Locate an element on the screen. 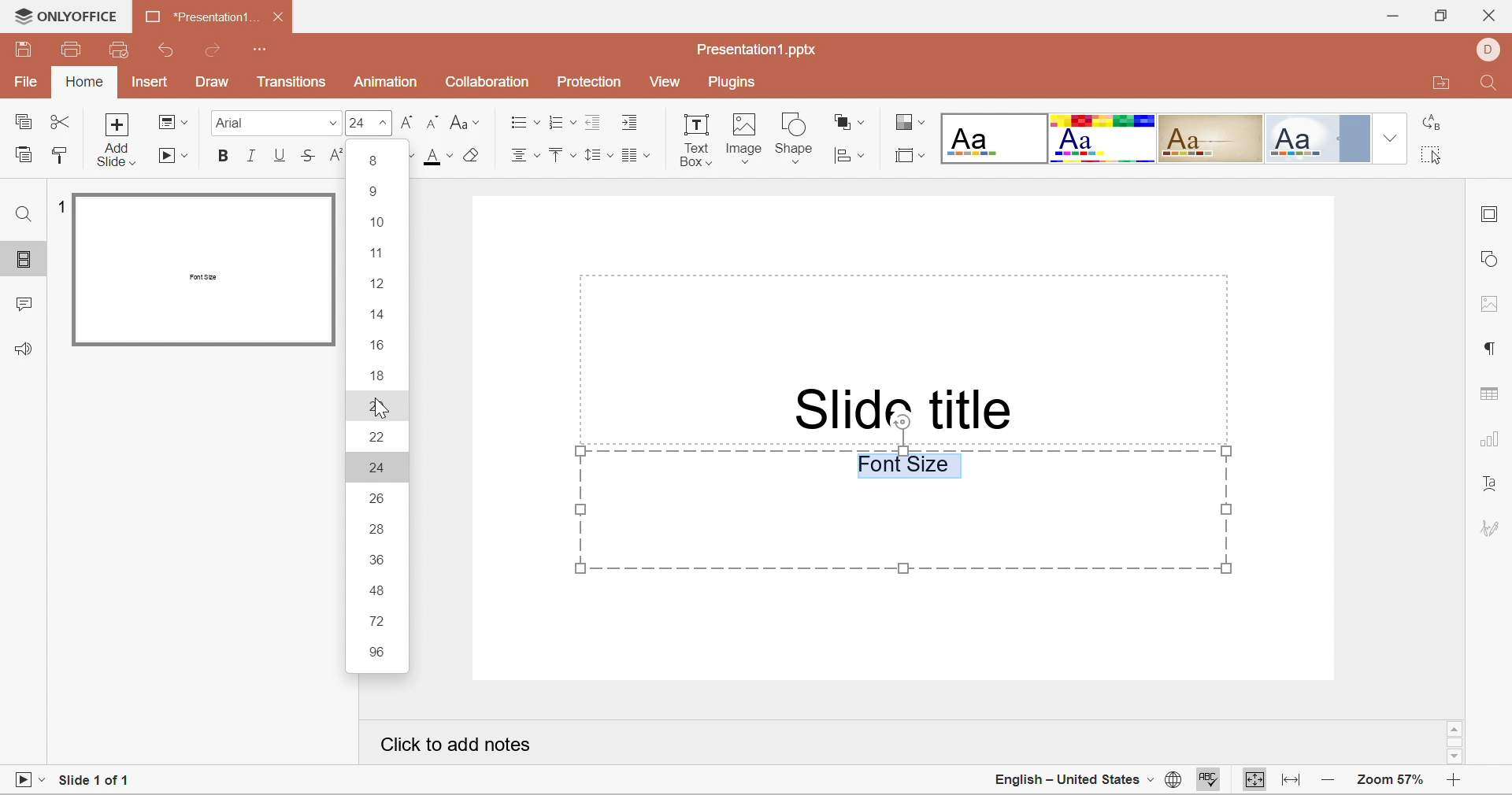 The image size is (1512, 795). 9 is located at coordinates (376, 193).